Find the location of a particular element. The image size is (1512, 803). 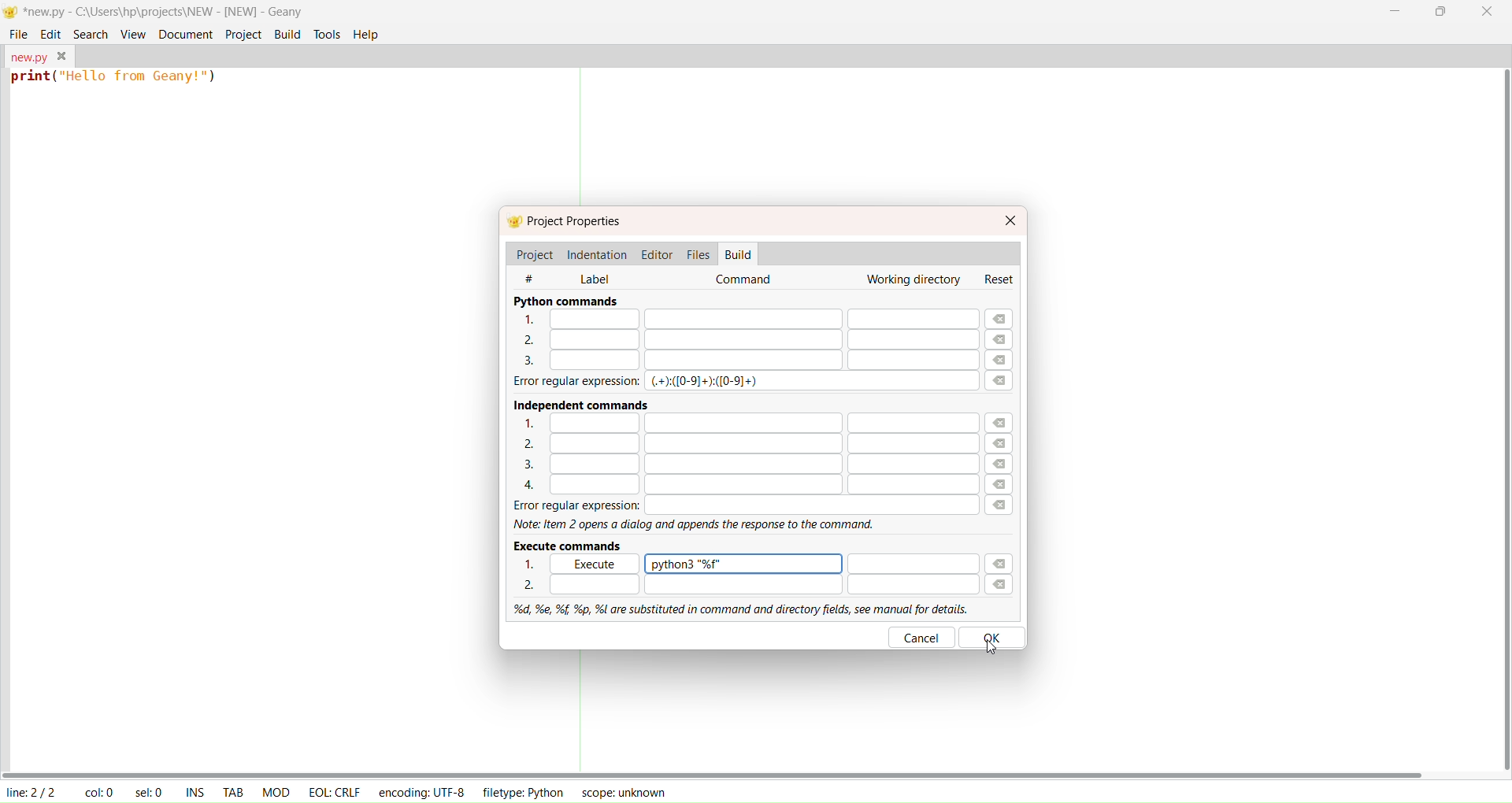

view is located at coordinates (133, 32).